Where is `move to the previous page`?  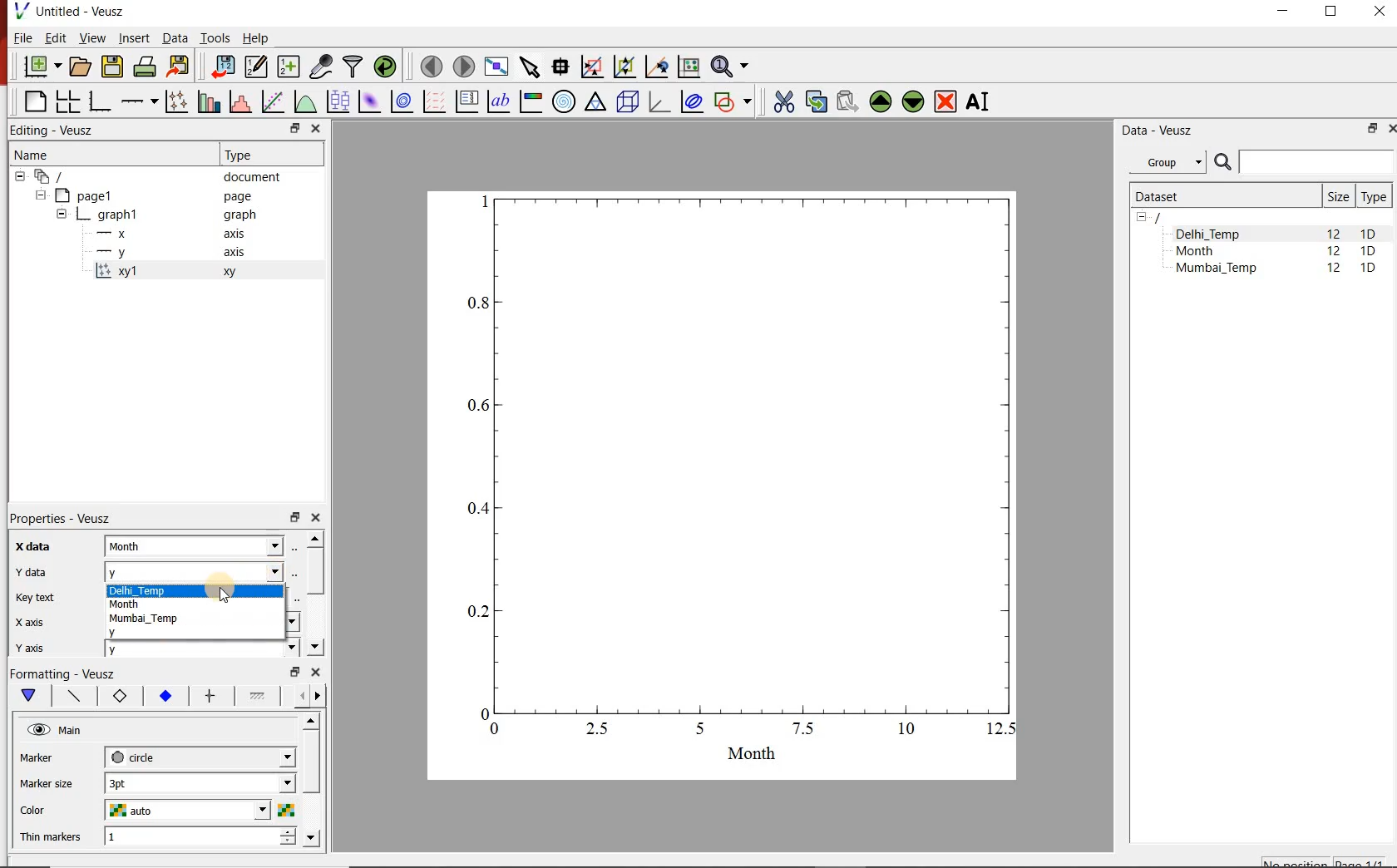 move to the previous page is located at coordinates (431, 66).